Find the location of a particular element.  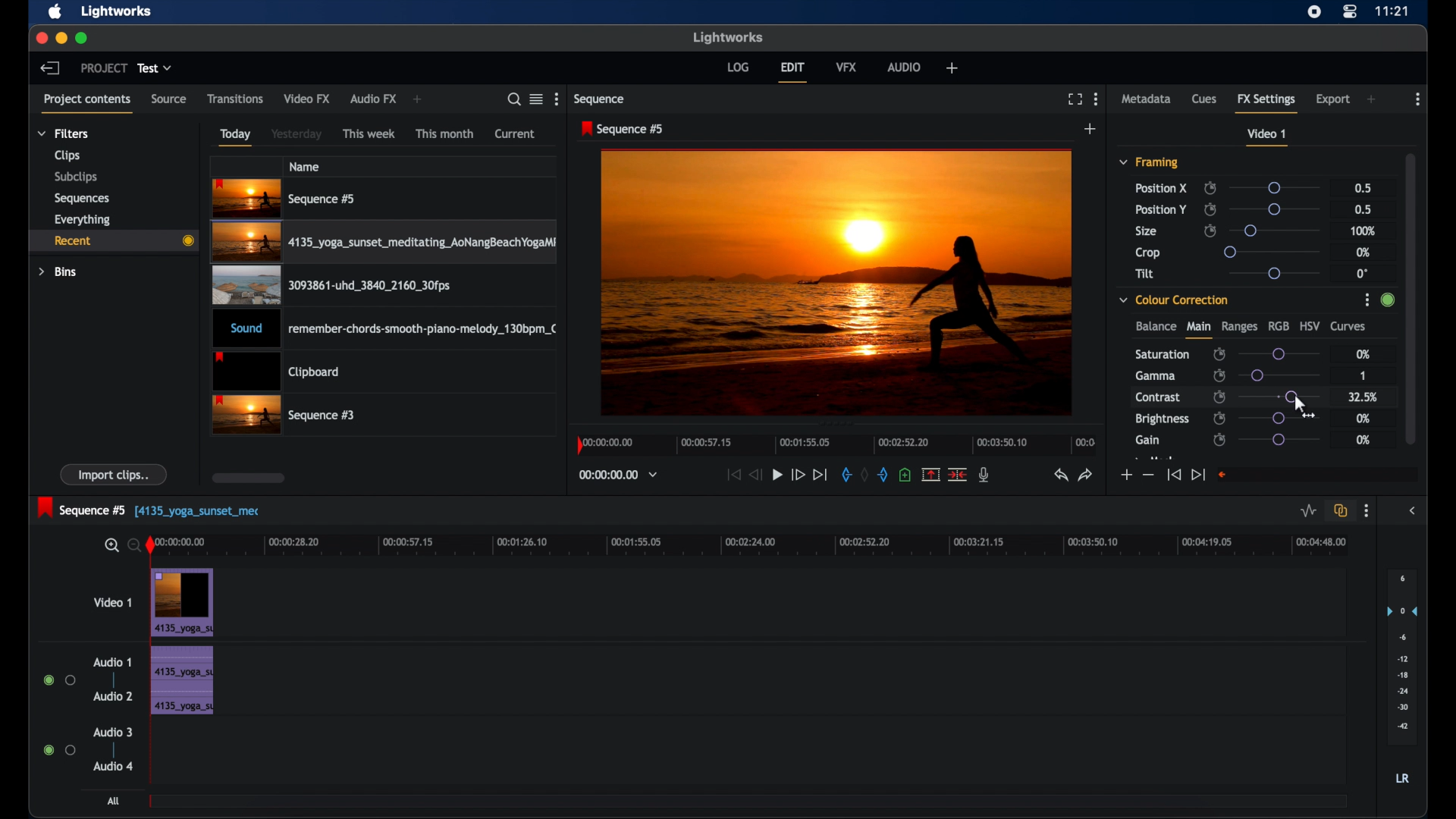

jump to end is located at coordinates (820, 475).